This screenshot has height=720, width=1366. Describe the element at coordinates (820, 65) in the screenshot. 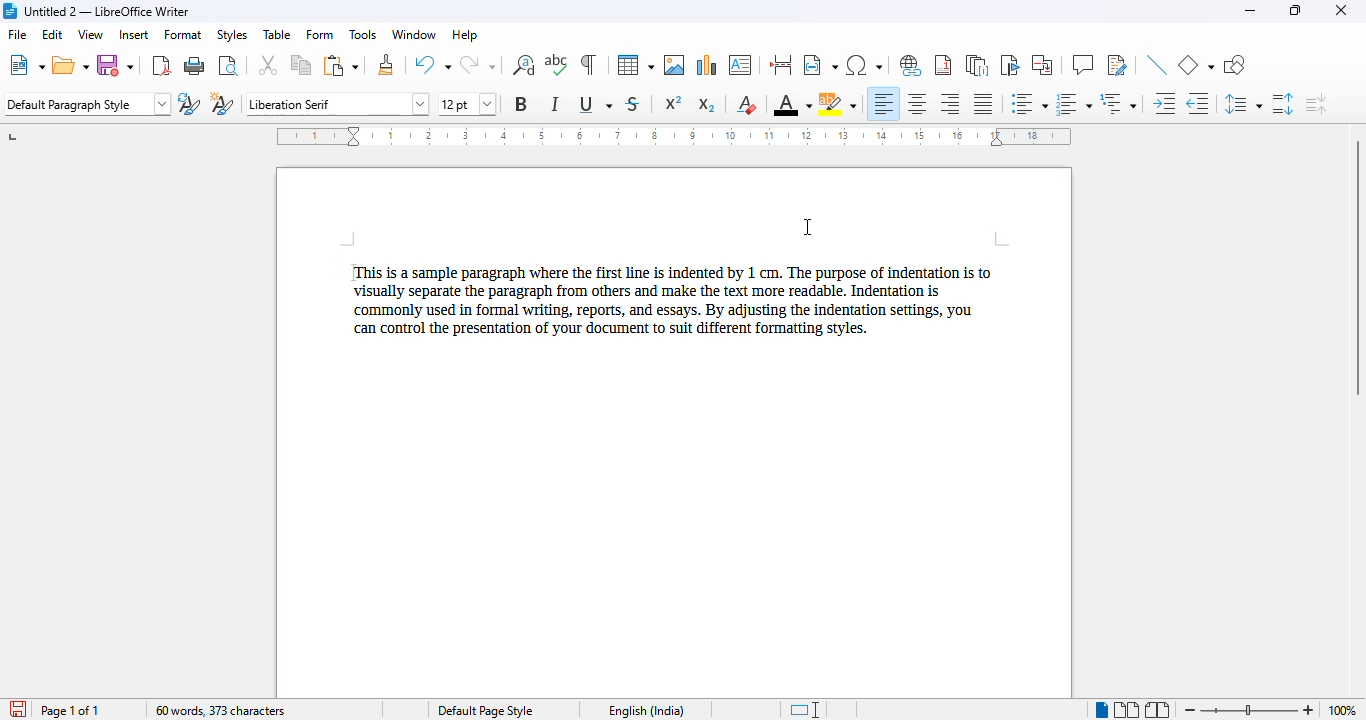

I see `insert field` at that location.